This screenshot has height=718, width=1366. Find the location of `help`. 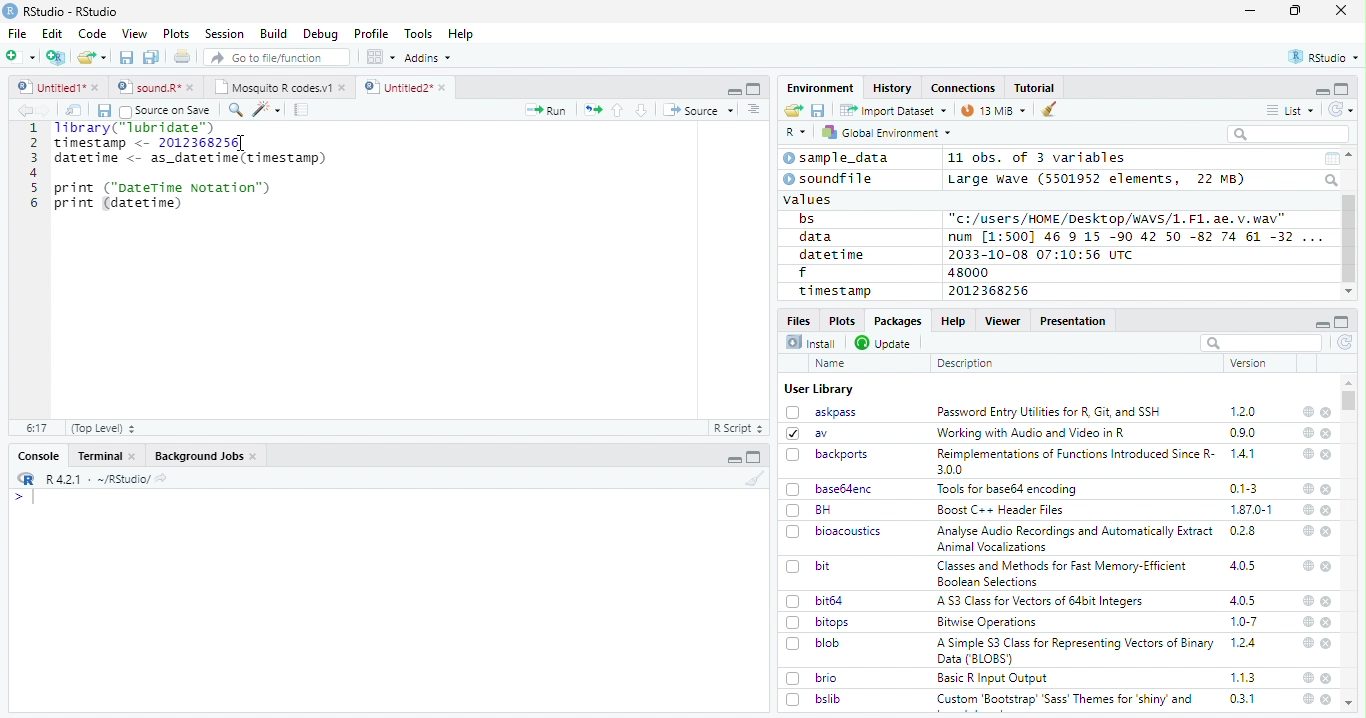

help is located at coordinates (1307, 600).